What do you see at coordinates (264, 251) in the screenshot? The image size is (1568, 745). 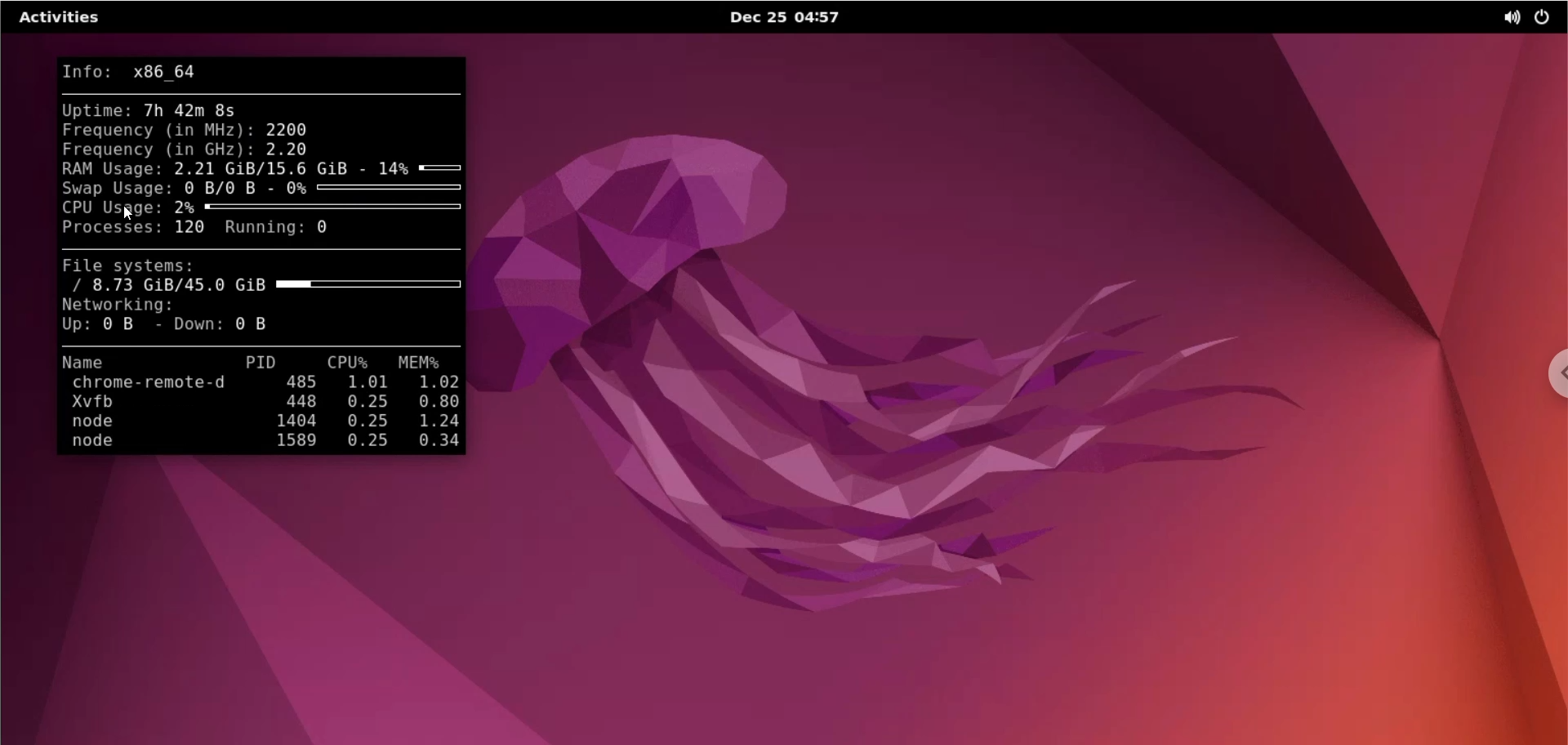 I see `line ` at bounding box center [264, 251].